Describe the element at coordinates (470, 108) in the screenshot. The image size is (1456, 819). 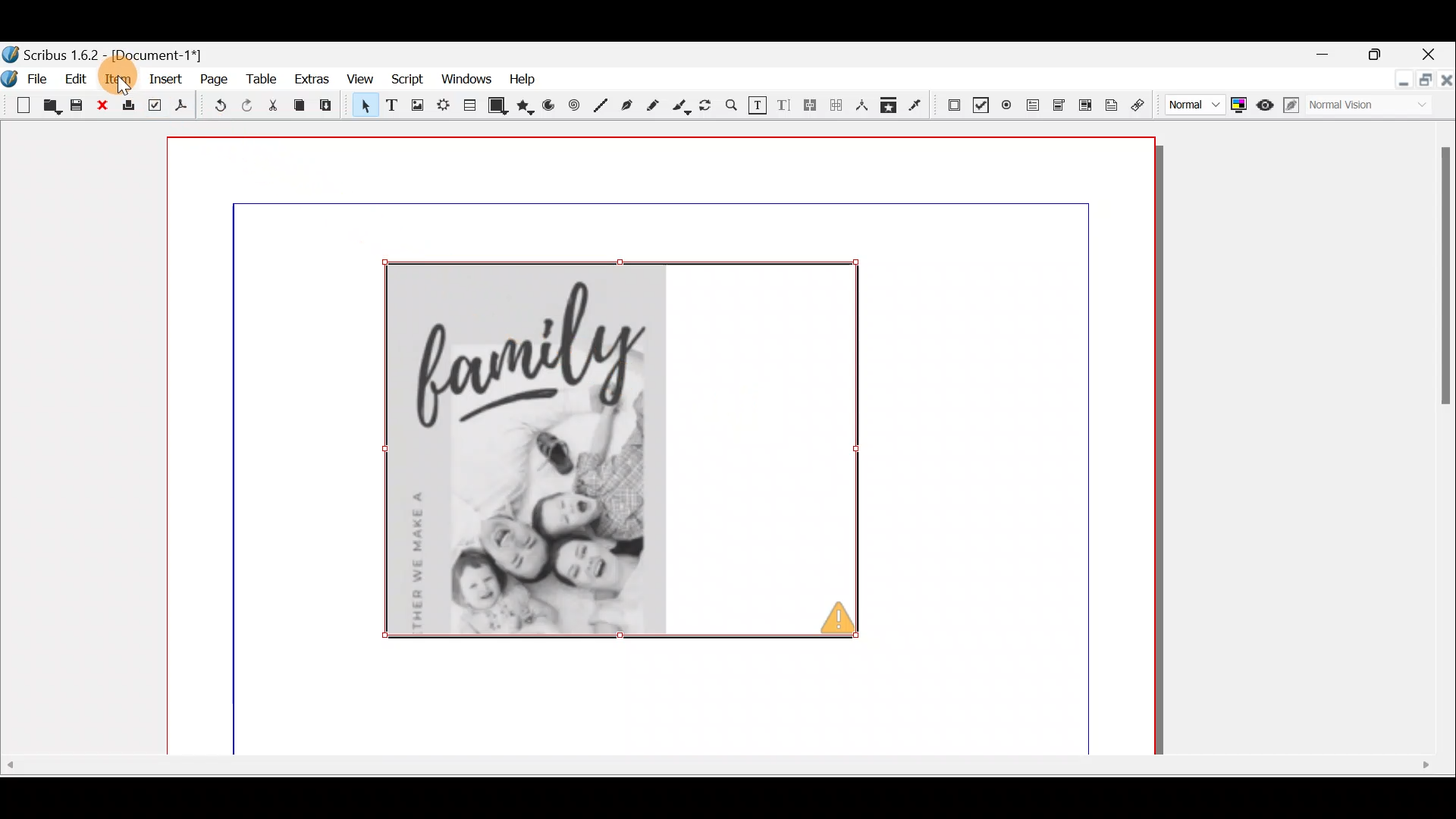
I see `Table` at that location.